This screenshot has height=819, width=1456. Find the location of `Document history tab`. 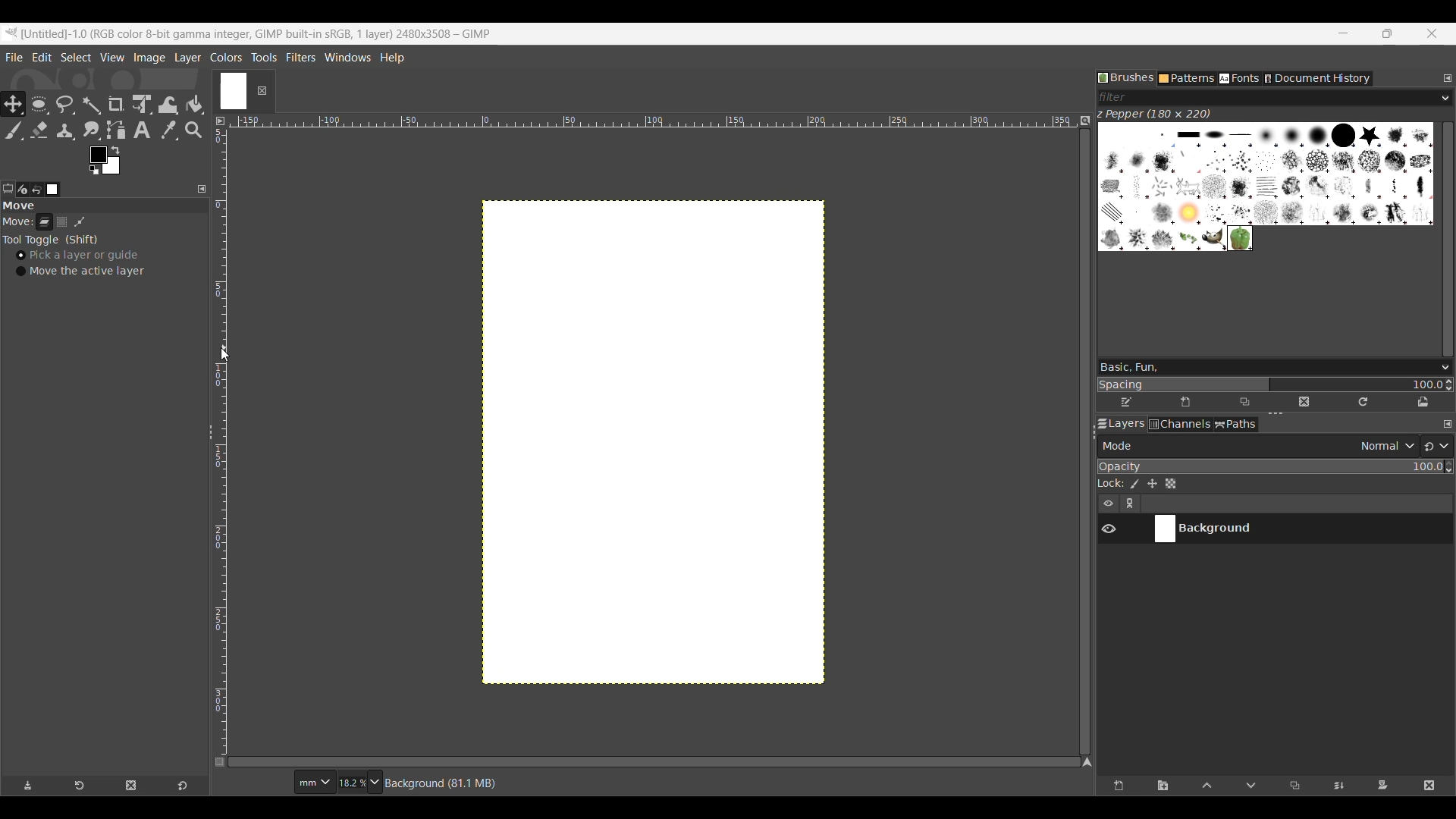

Document history tab is located at coordinates (1317, 79).